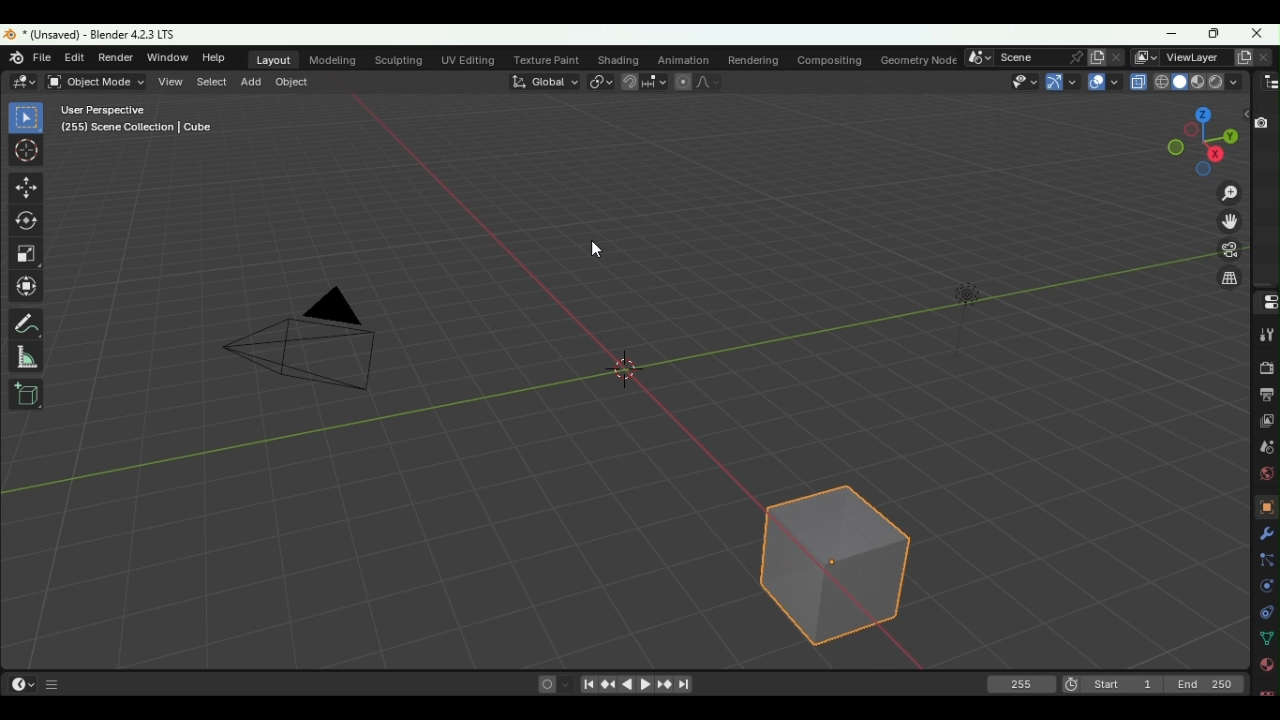 The width and height of the screenshot is (1280, 720). Describe the element at coordinates (1269, 474) in the screenshot. I see `World` at that location.